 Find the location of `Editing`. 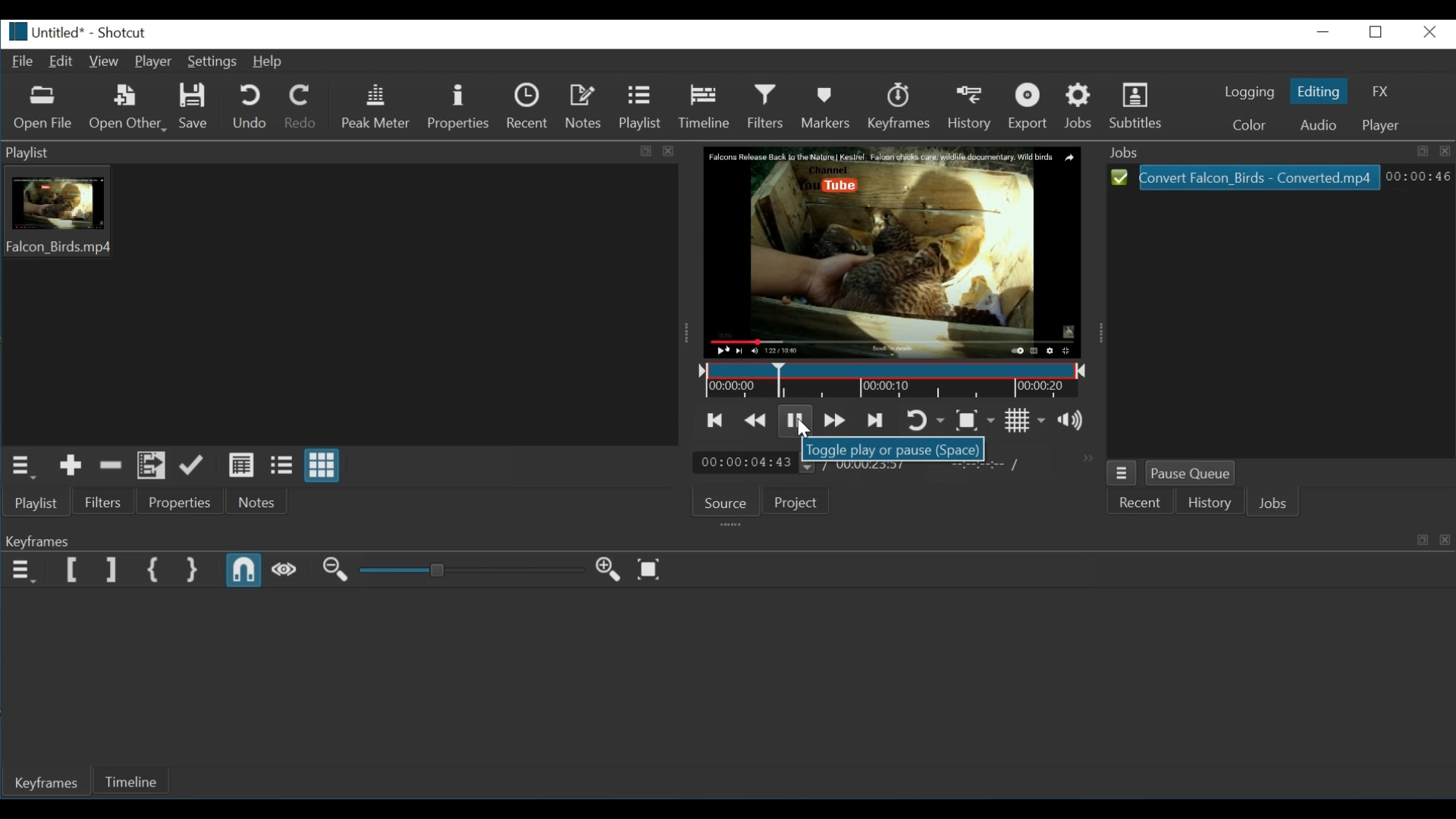

Editing is located at coordinates (1320, 91).